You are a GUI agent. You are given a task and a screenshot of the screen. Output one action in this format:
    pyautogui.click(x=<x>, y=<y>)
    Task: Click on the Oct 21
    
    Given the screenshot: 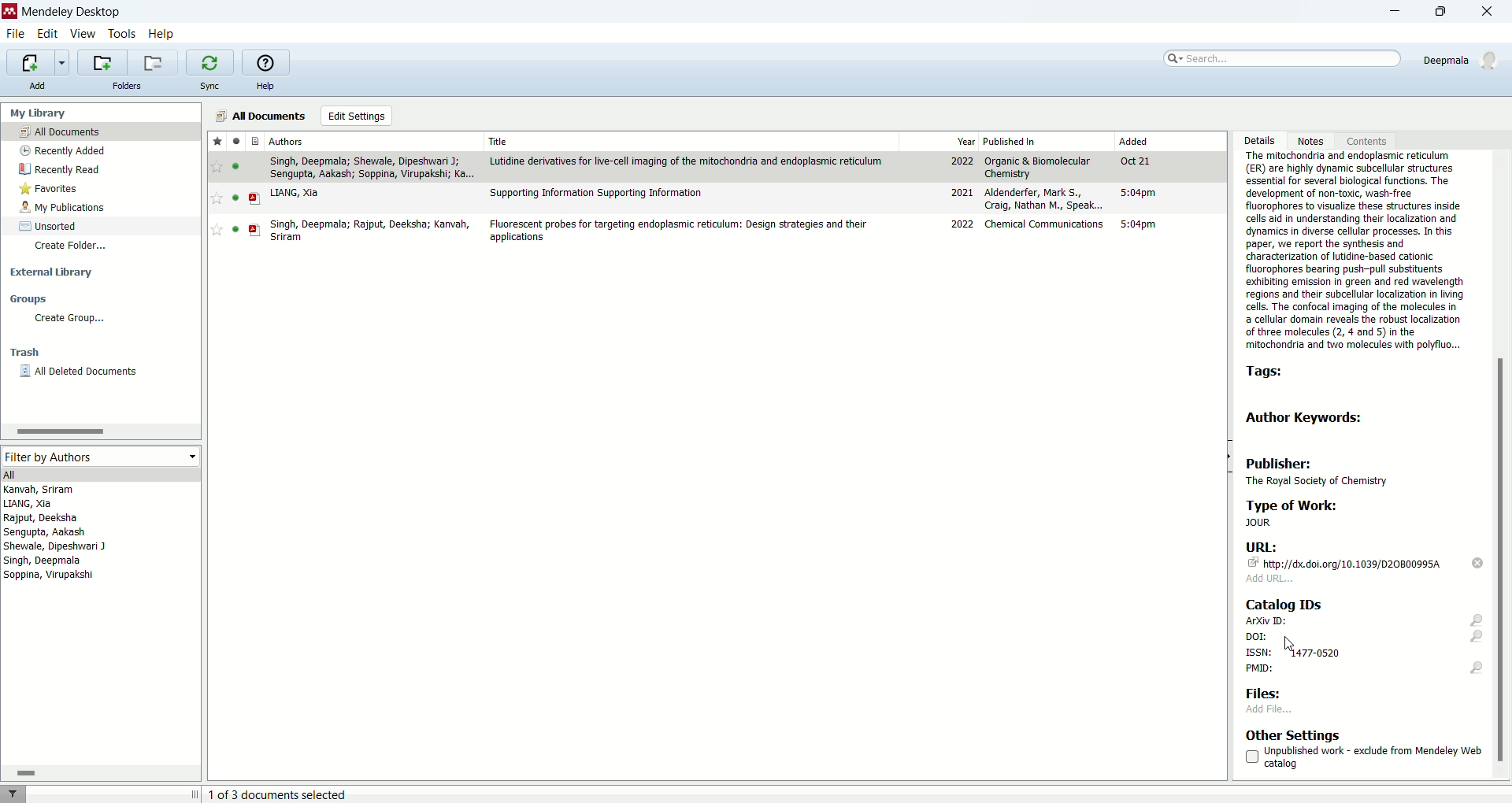 What is the action you would take?
    pyautogui.click(x=1134, y=161)
    